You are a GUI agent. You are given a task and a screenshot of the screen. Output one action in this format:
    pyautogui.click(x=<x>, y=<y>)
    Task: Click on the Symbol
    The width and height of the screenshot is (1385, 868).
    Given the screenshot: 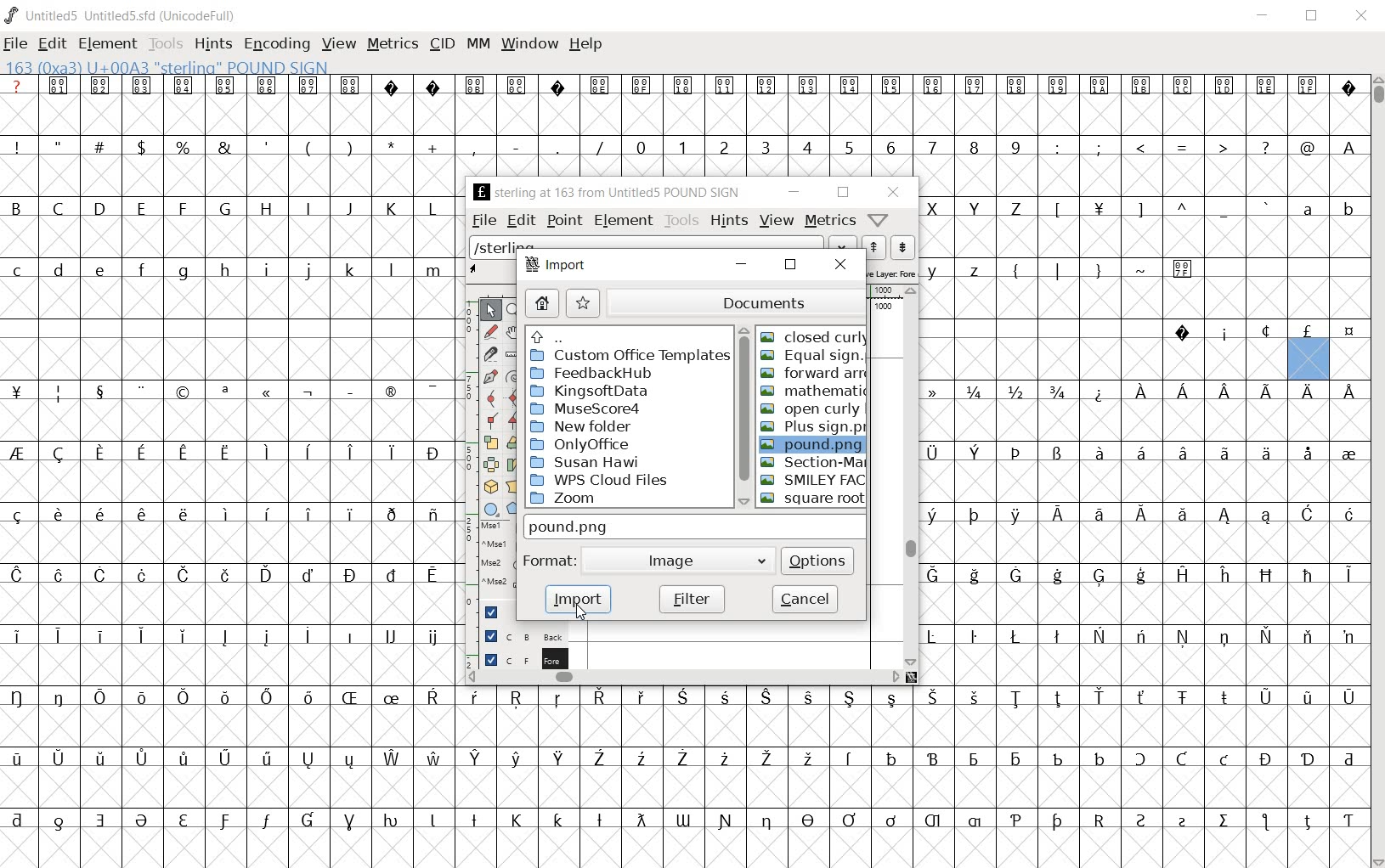 What is the action you would take?
    pyautogui.click(x=1141, y=577)
    